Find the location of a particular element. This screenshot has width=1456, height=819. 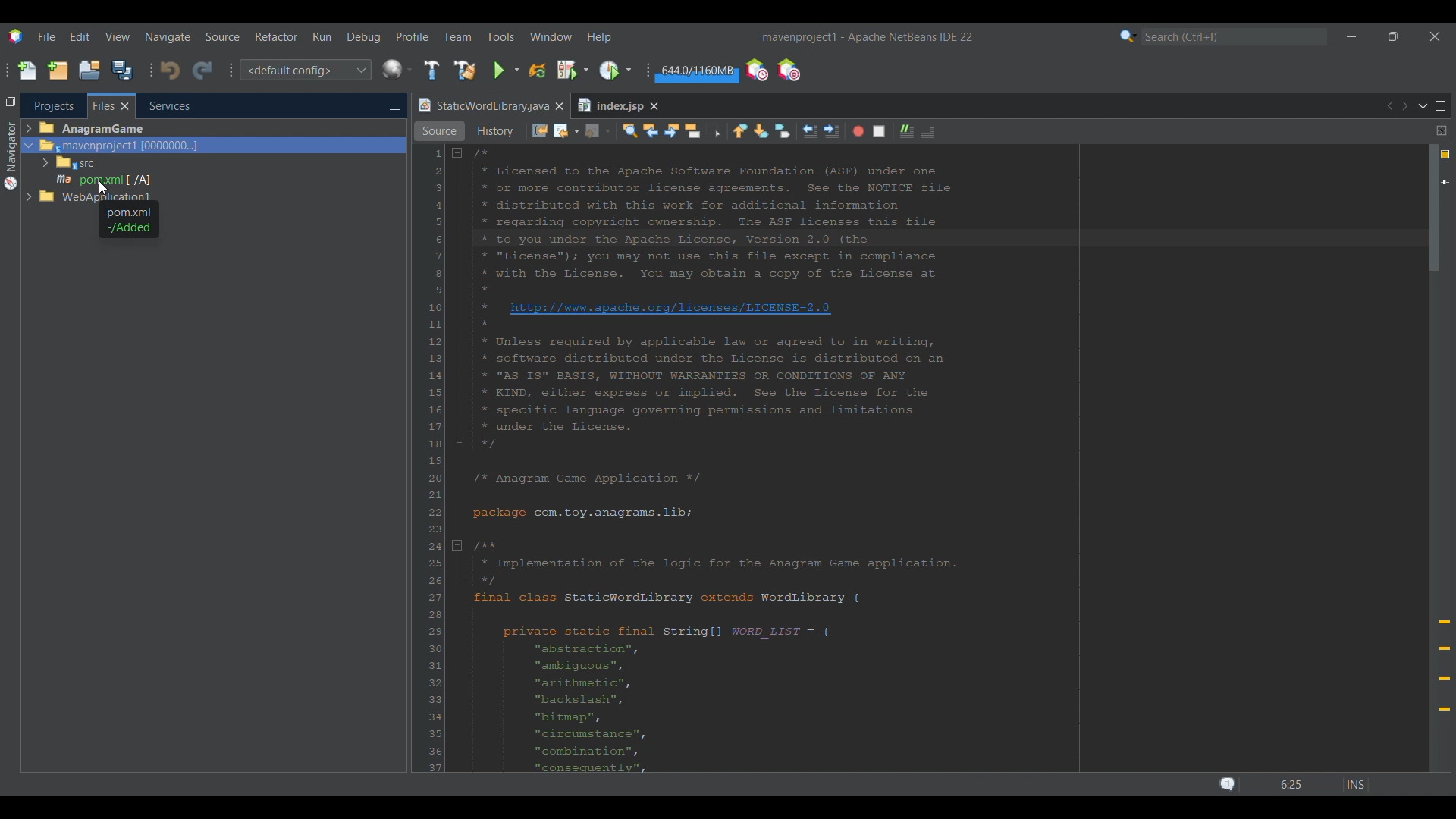

Profile the IDE is located at coordinates (757, 71).